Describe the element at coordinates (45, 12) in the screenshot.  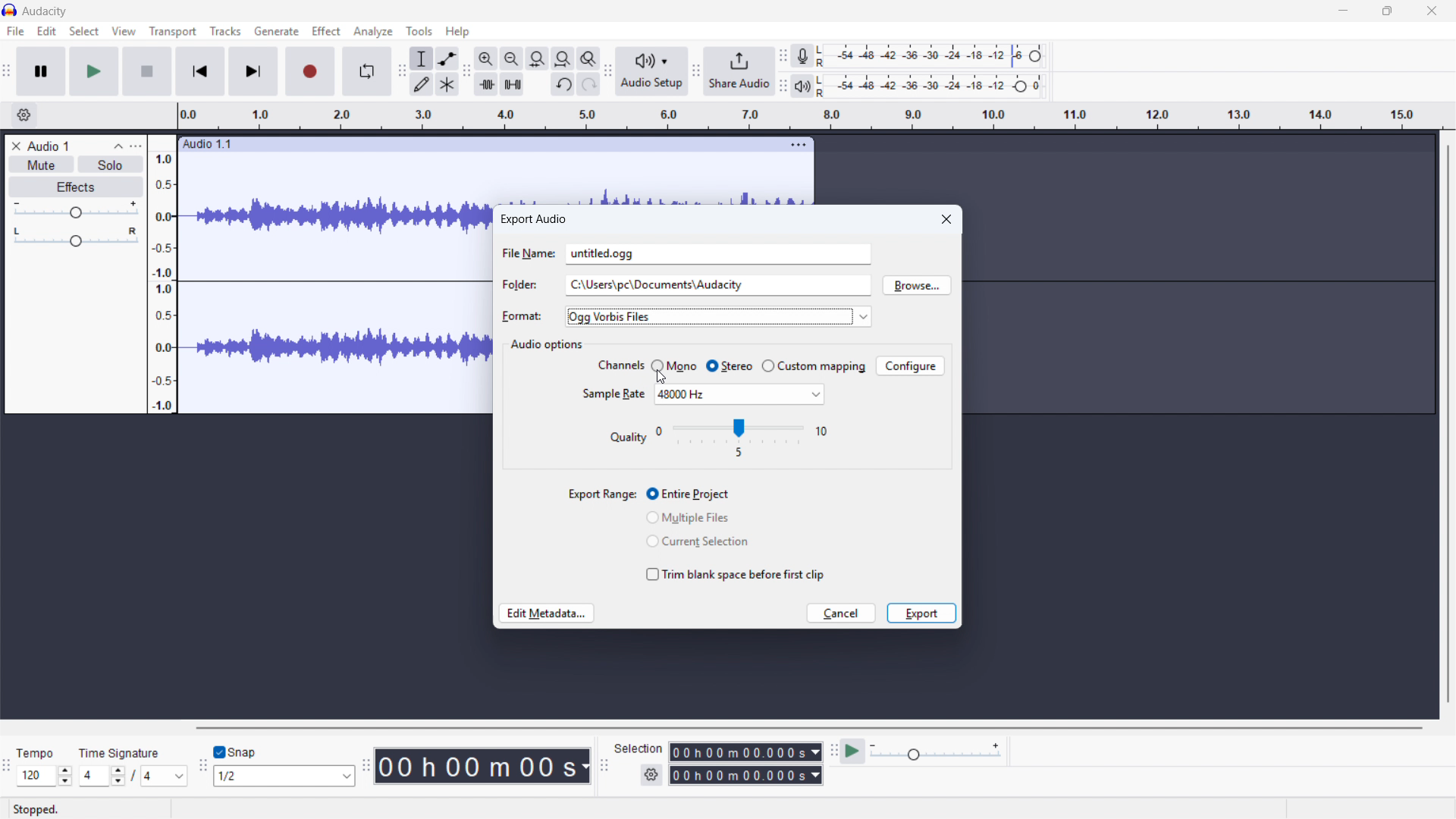
I see `title ` at that location.